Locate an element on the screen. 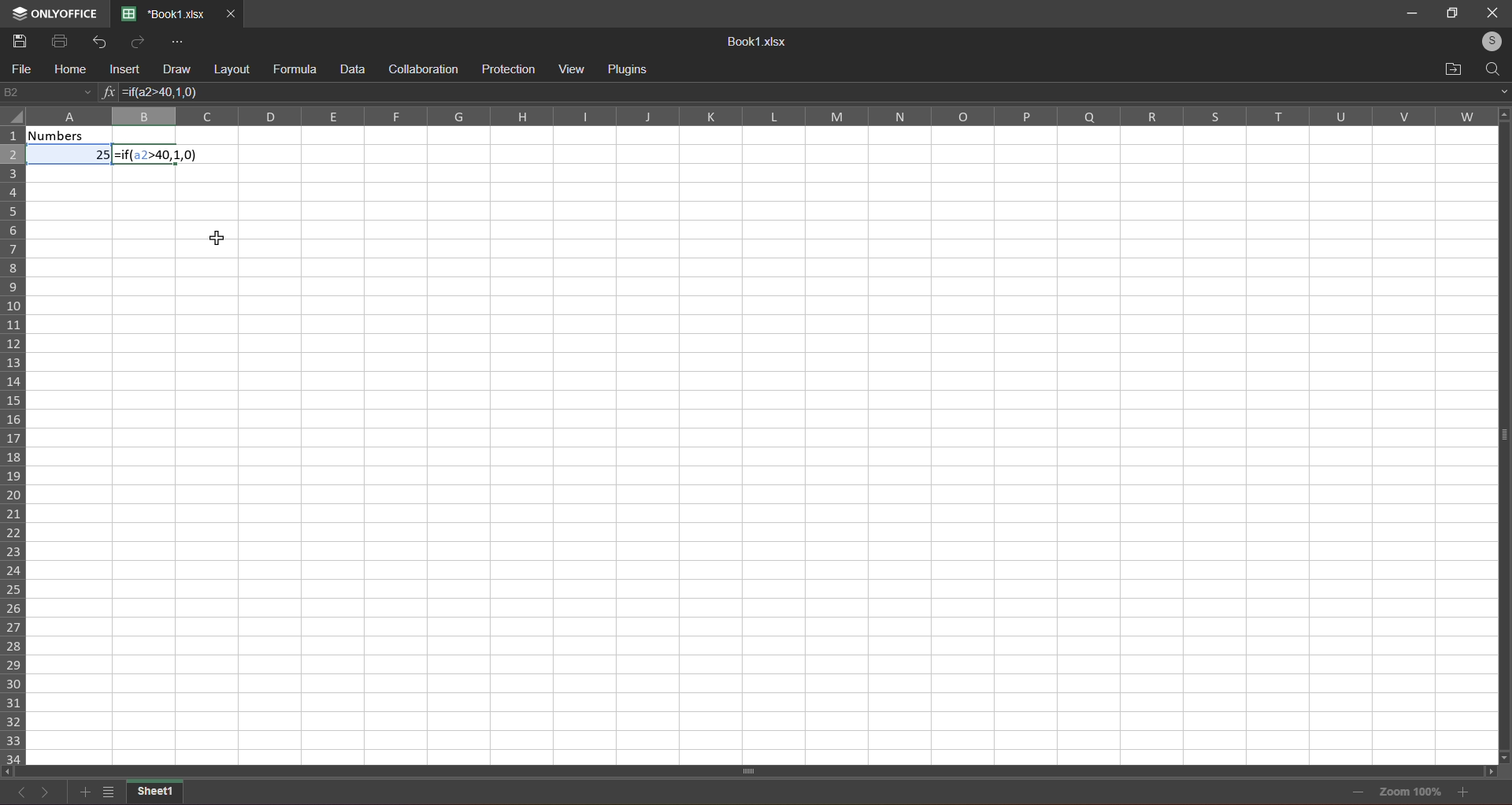 This screenshot has height=805, width=1512. layout is located at coordinates (231, 69).